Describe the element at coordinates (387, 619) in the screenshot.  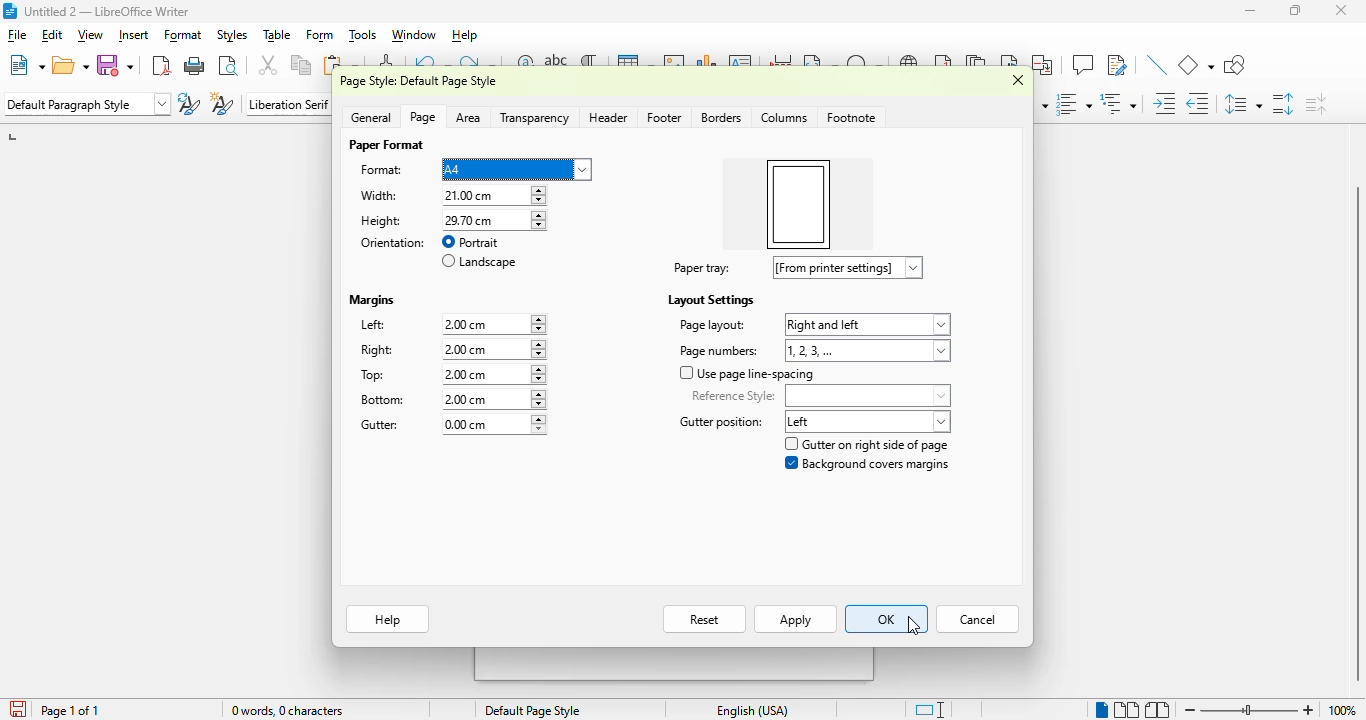
I see `help` at that location.